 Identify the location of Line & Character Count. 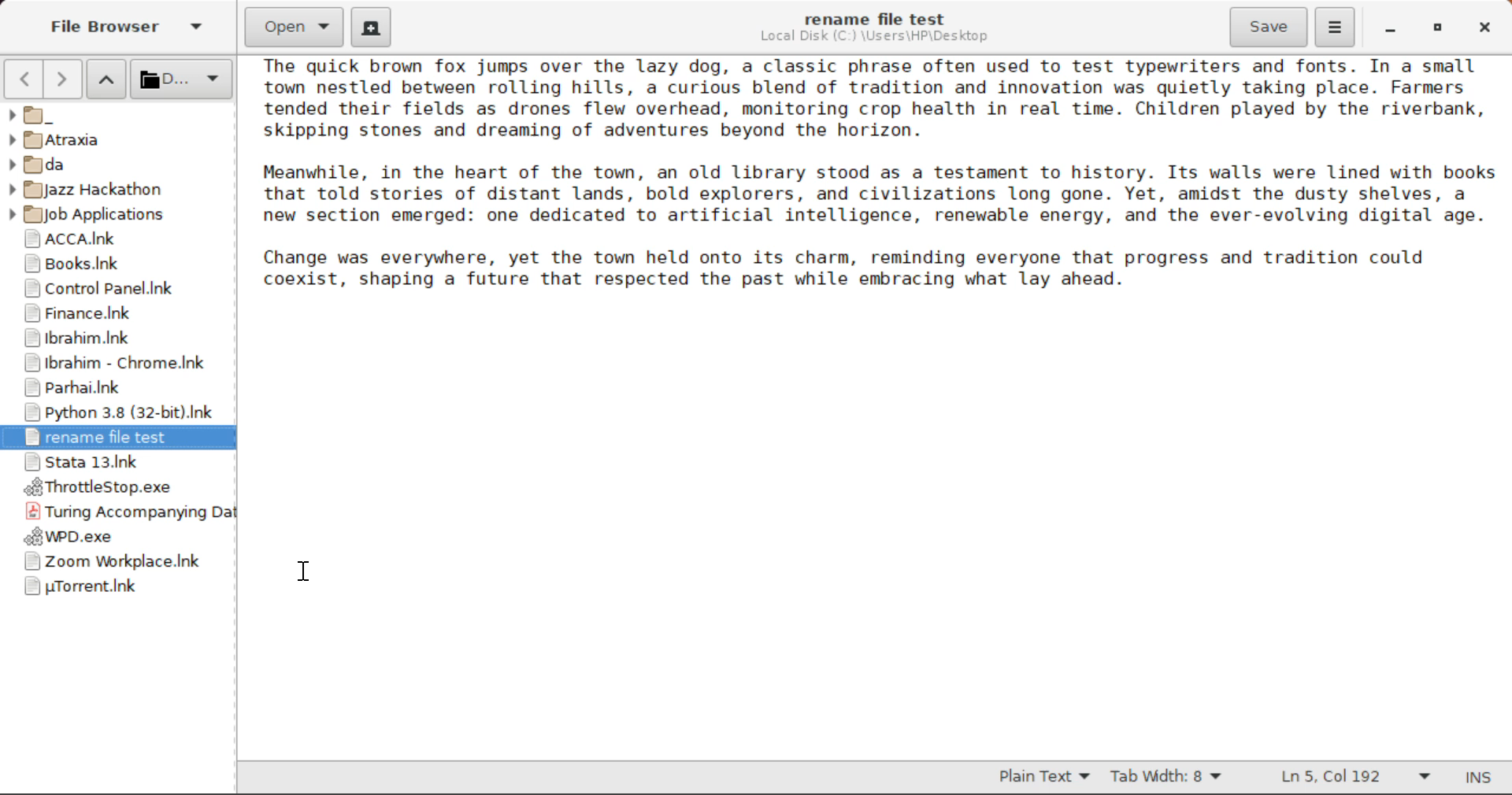
(1353, 778).